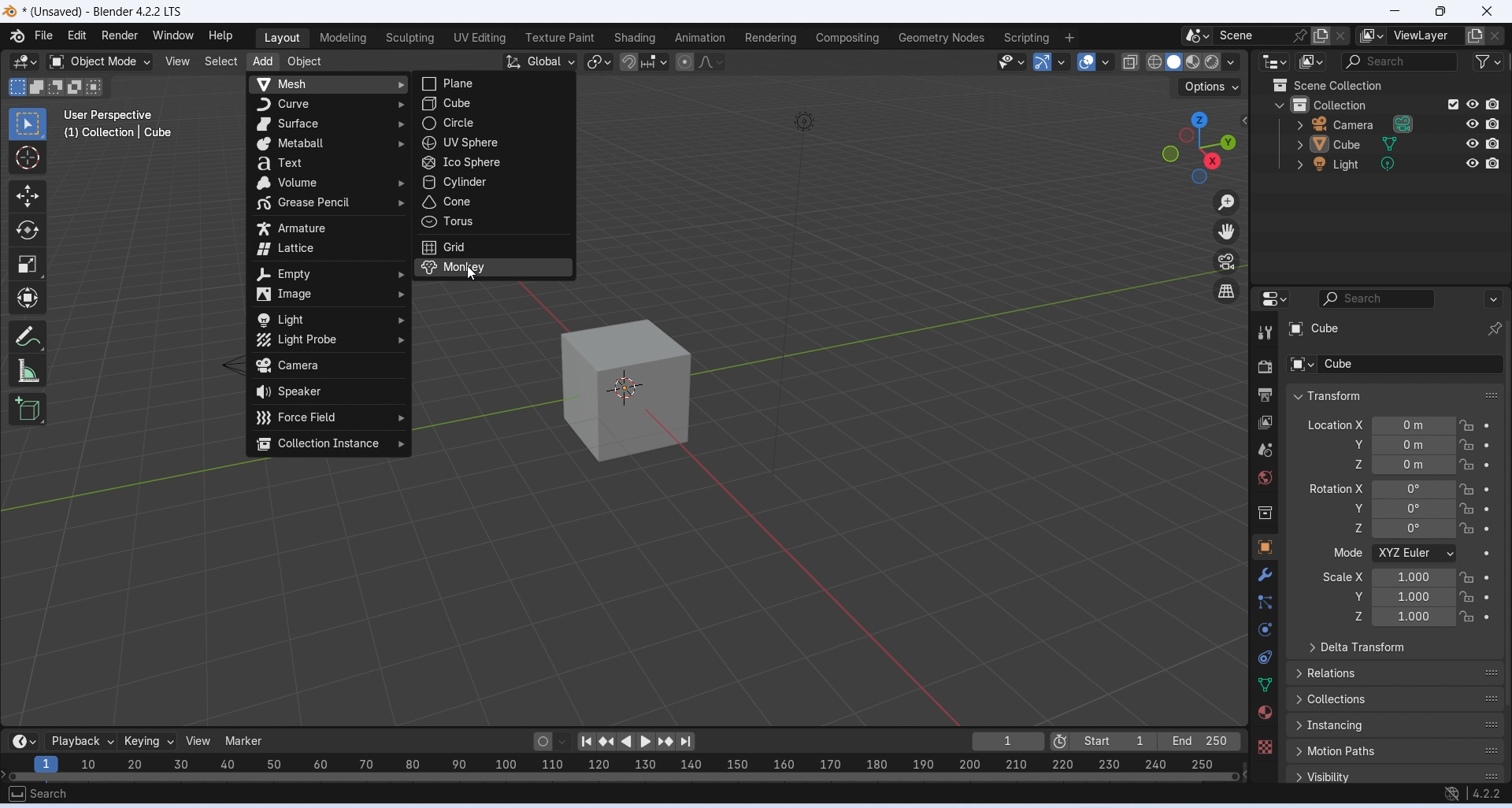 This screenshot has height=808, width=1512. Describe the element at coordinates (1265, 746) in the screenshot. I see `texture` at that location.